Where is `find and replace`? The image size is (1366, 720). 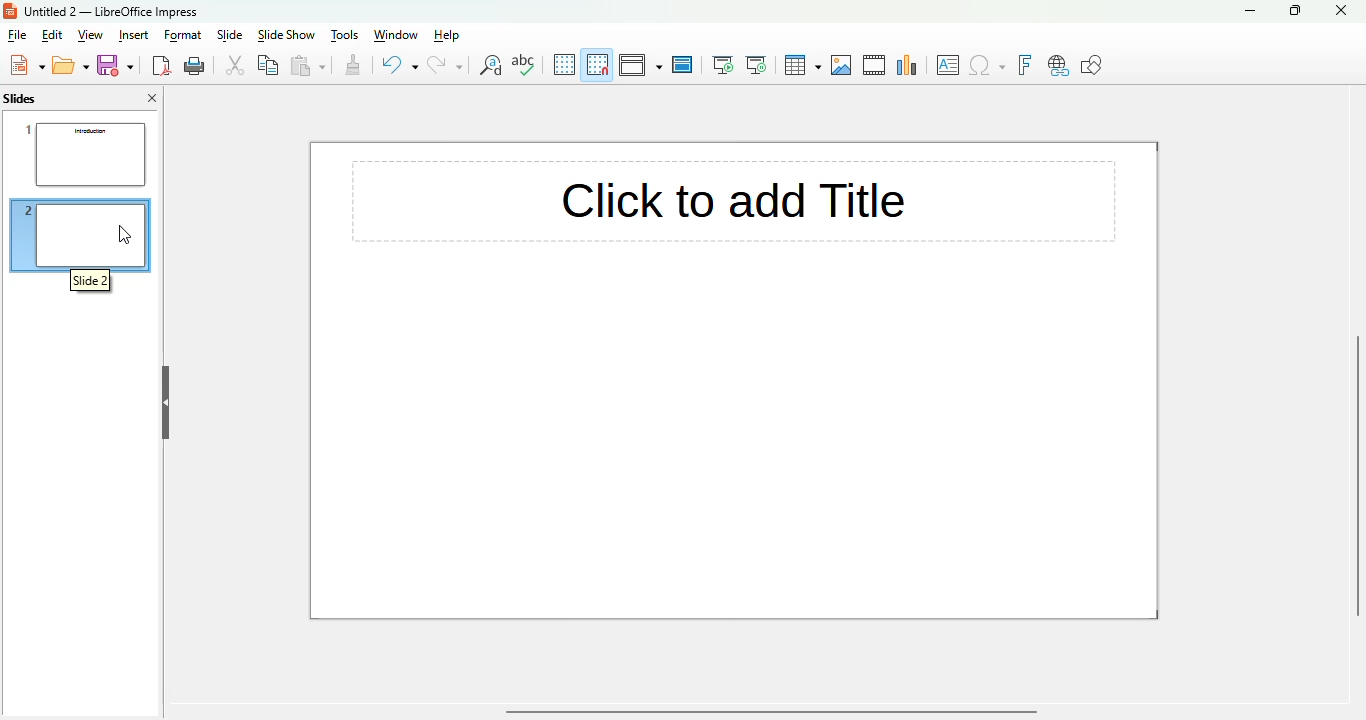 find and replace is located at coordinates (491, 65).